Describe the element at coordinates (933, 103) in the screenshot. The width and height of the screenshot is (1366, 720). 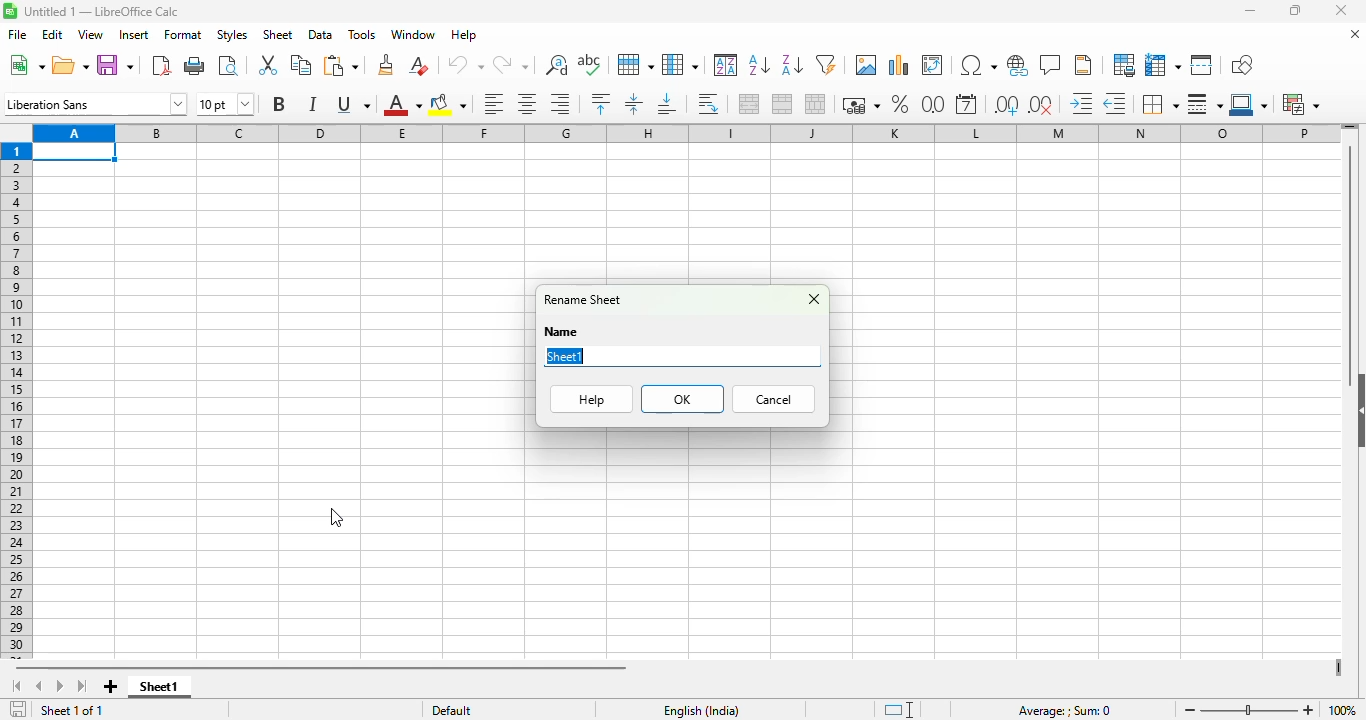
I see `format as number` at that location.